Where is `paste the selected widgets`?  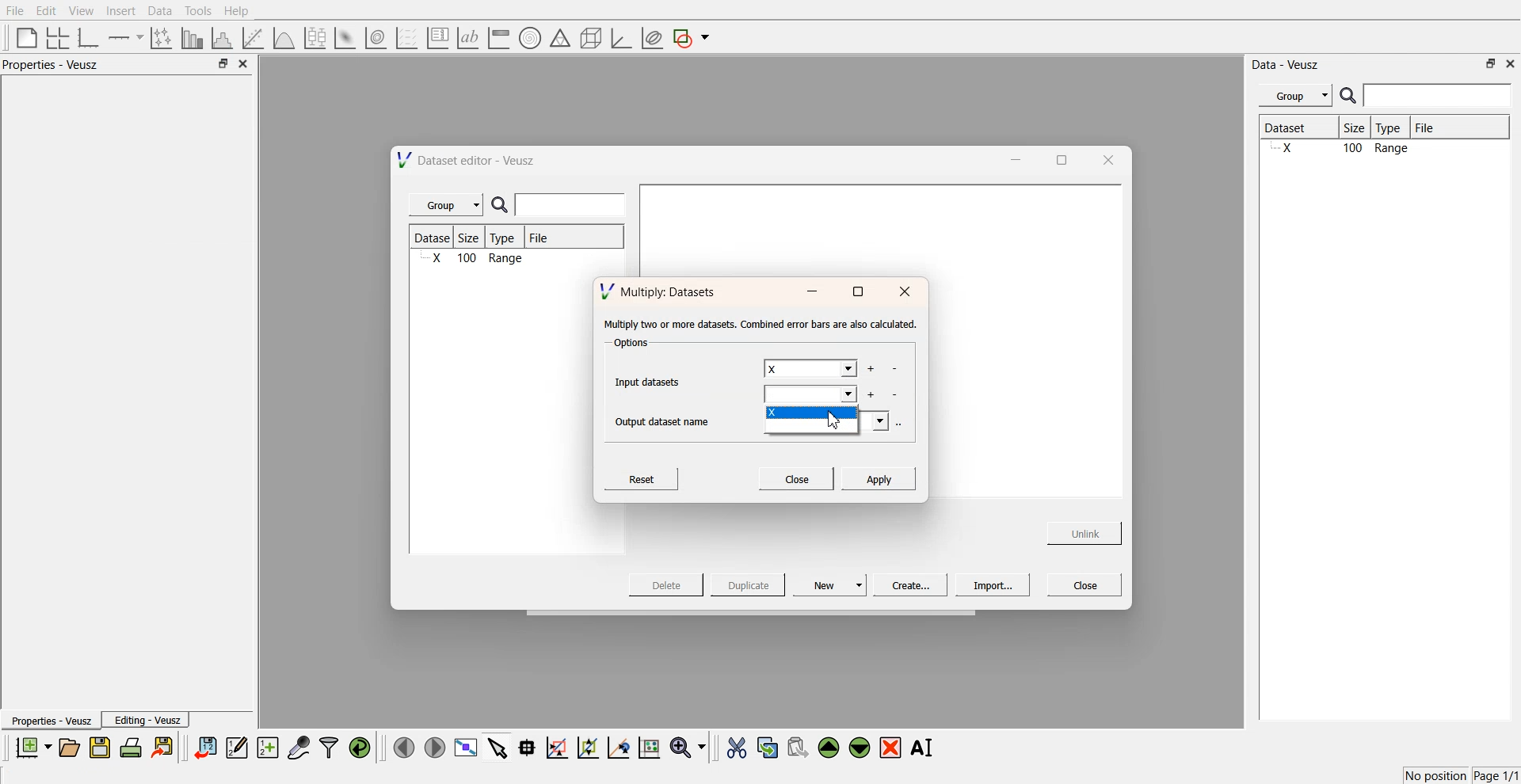
paste the selected widgets is located at coordinates (796, 747).